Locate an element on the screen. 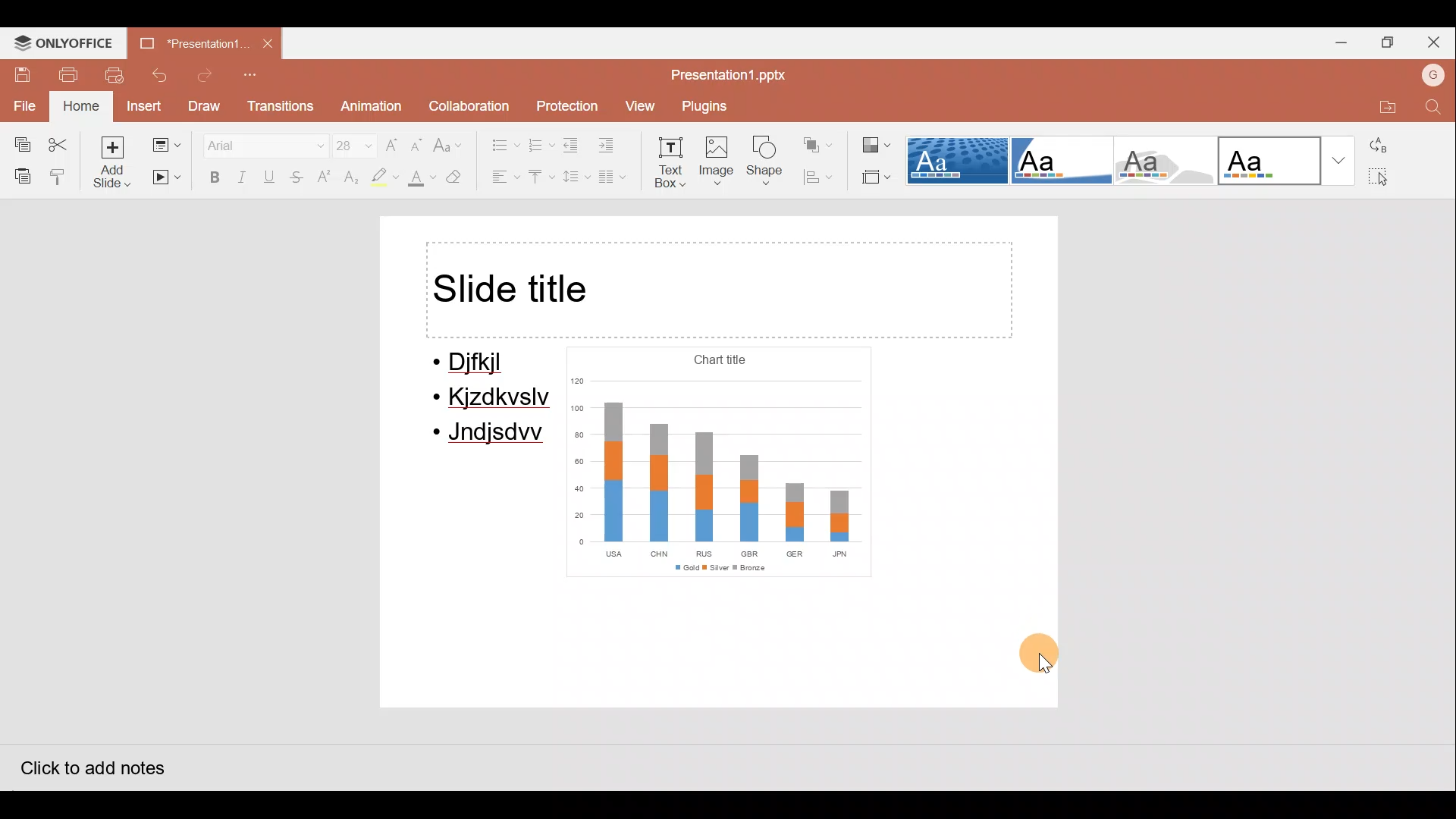 The width and height of the screenshot is (1456, 819). Print preview is located at coordinates (106, 76).